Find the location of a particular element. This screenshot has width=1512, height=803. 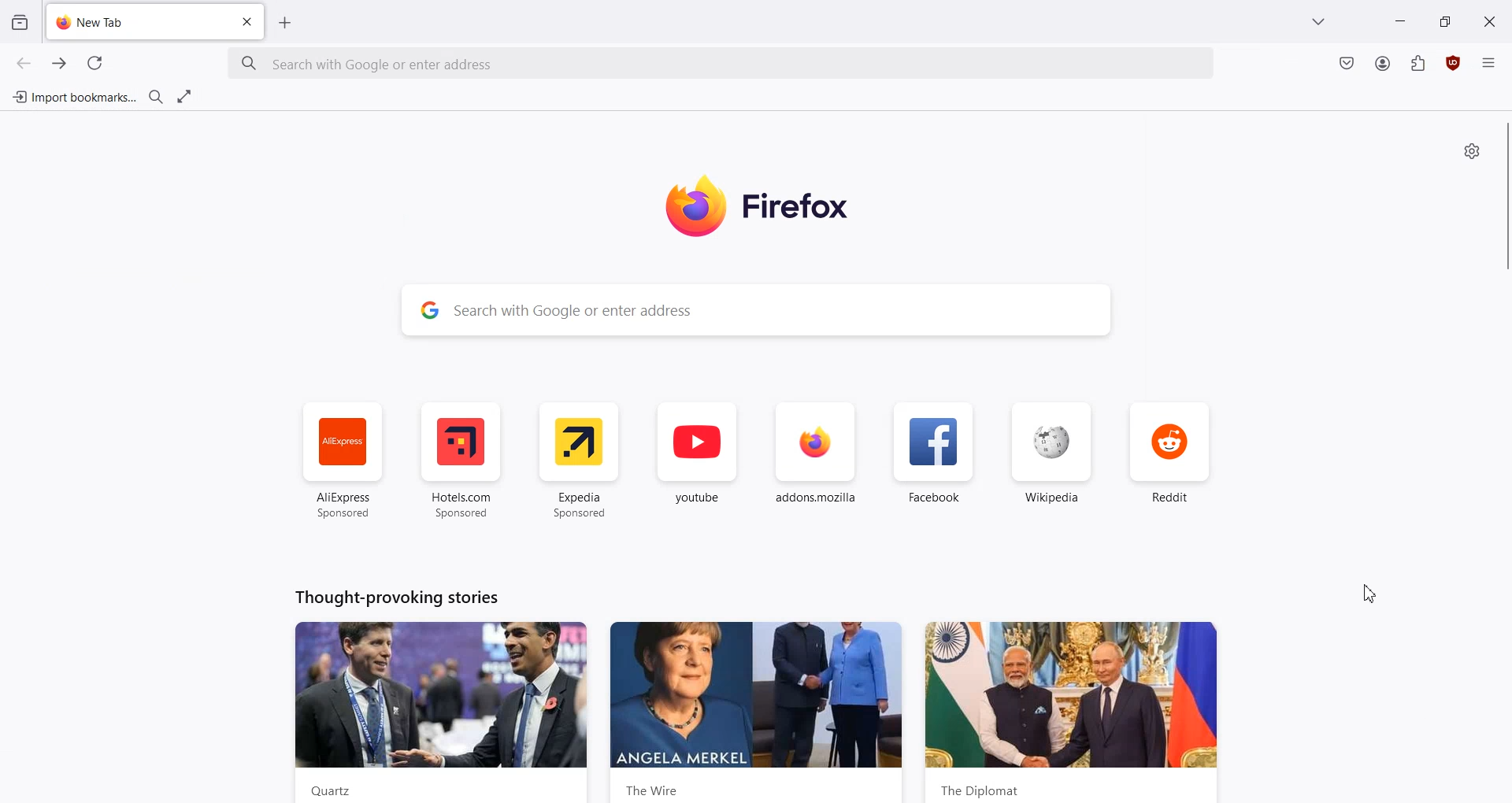

Refresh is located at coordinates (95, 63).